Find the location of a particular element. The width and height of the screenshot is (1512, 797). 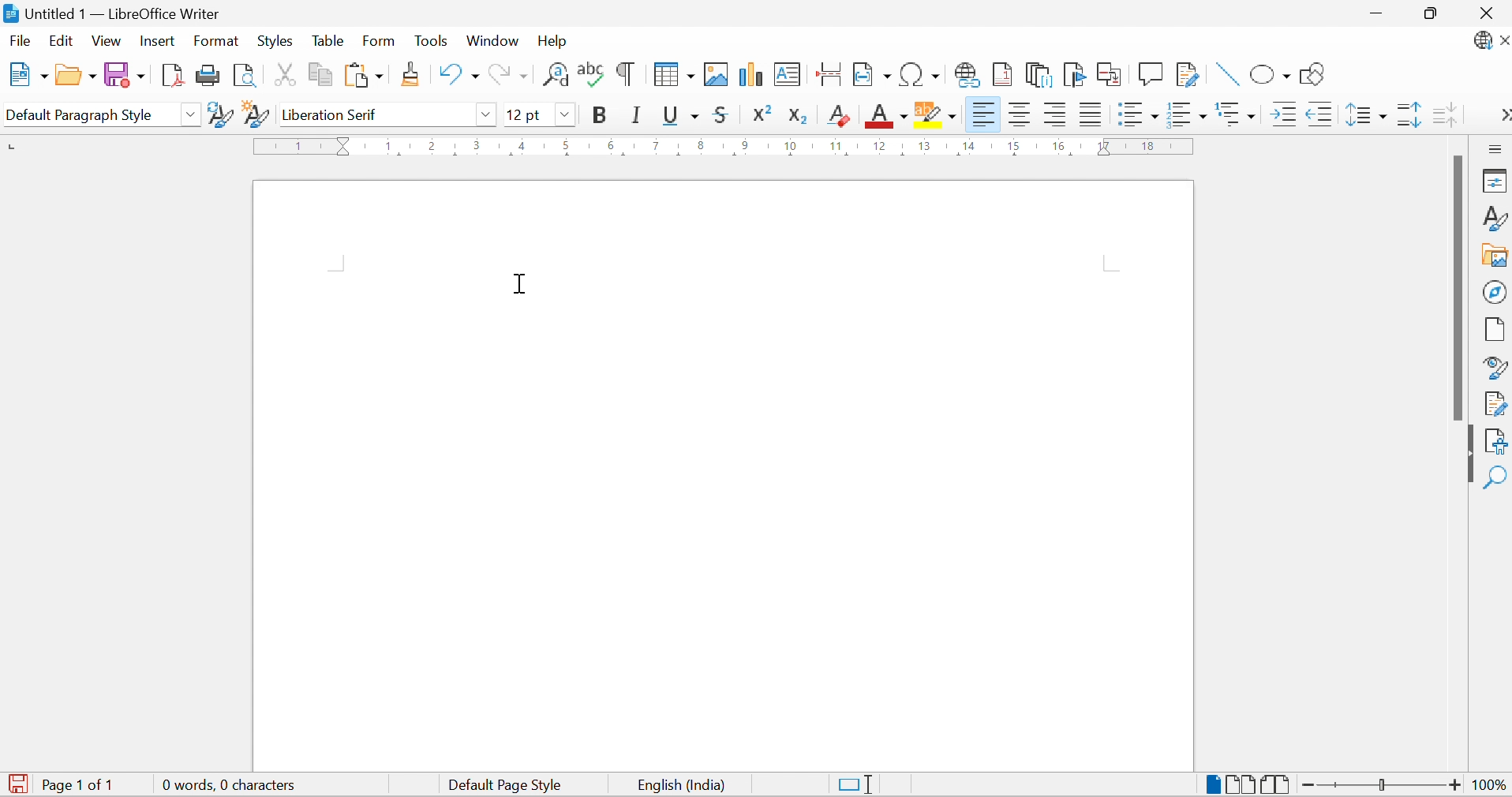

Properties is located at coordinates (1494, 181).